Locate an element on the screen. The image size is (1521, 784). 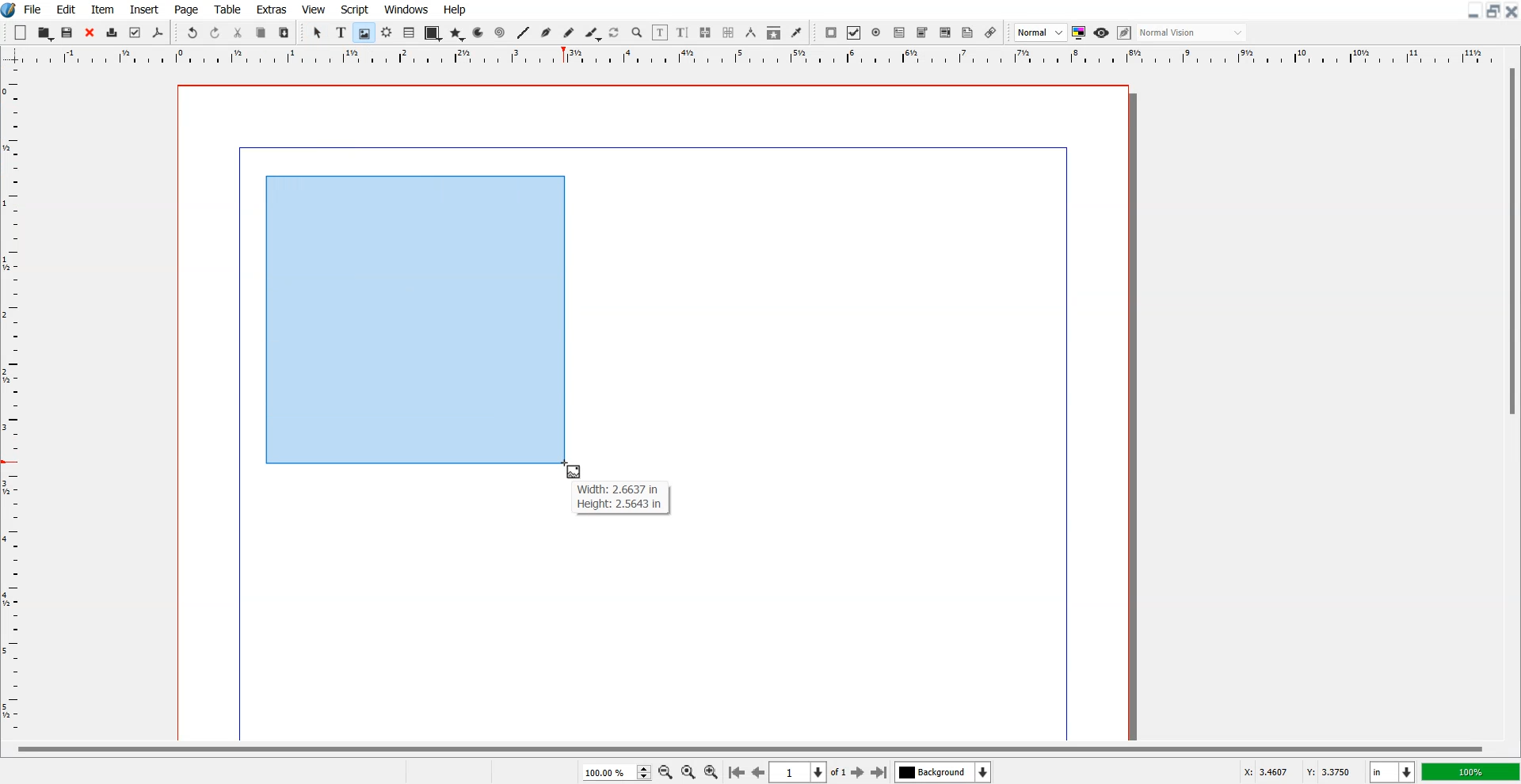
Link Annotation is located at coordinates (991, 32).